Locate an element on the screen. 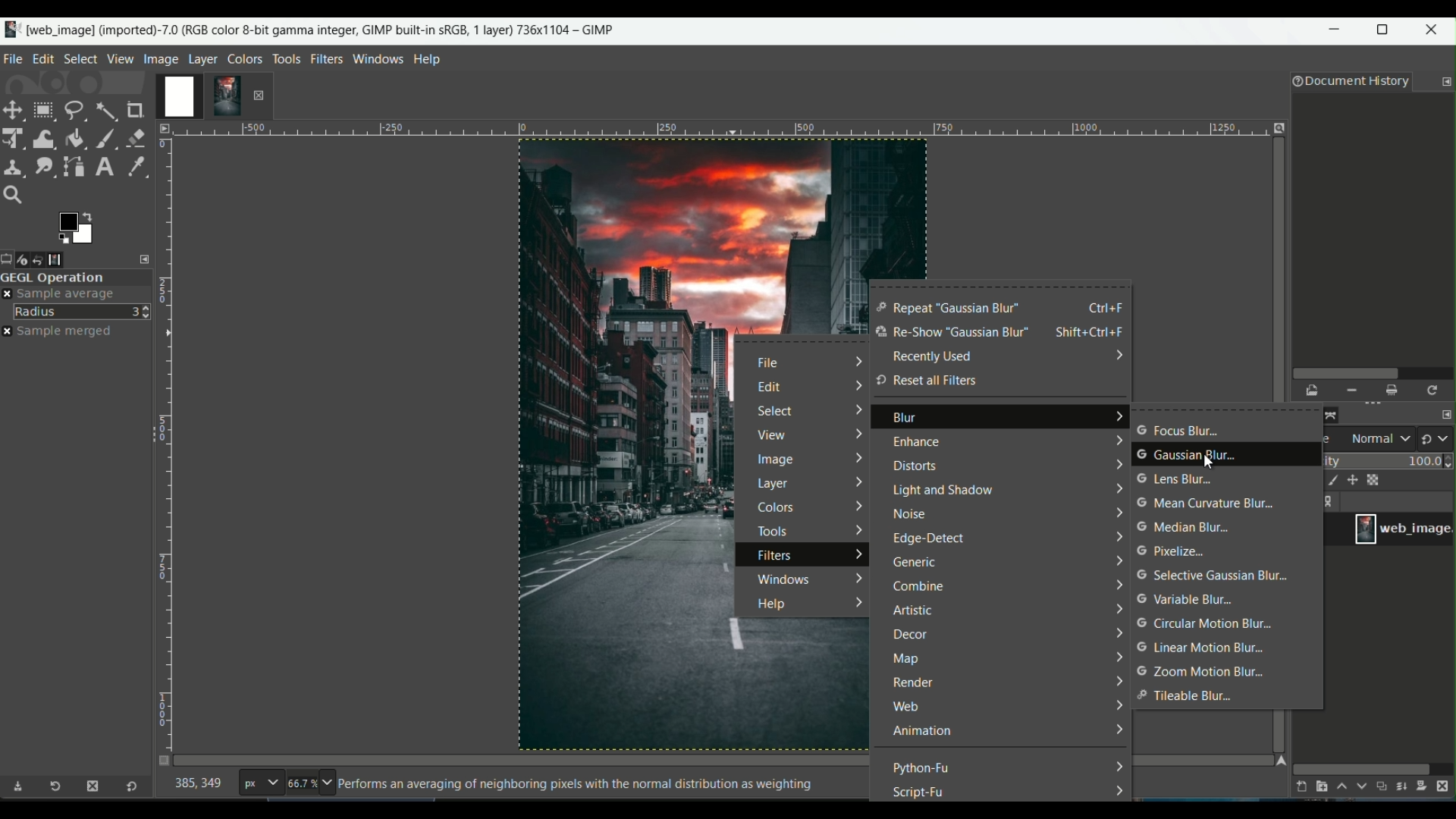 Image resolution: width=1456 pixels, height=819 pixels. lower layer is located at coordinates (1362, 789).